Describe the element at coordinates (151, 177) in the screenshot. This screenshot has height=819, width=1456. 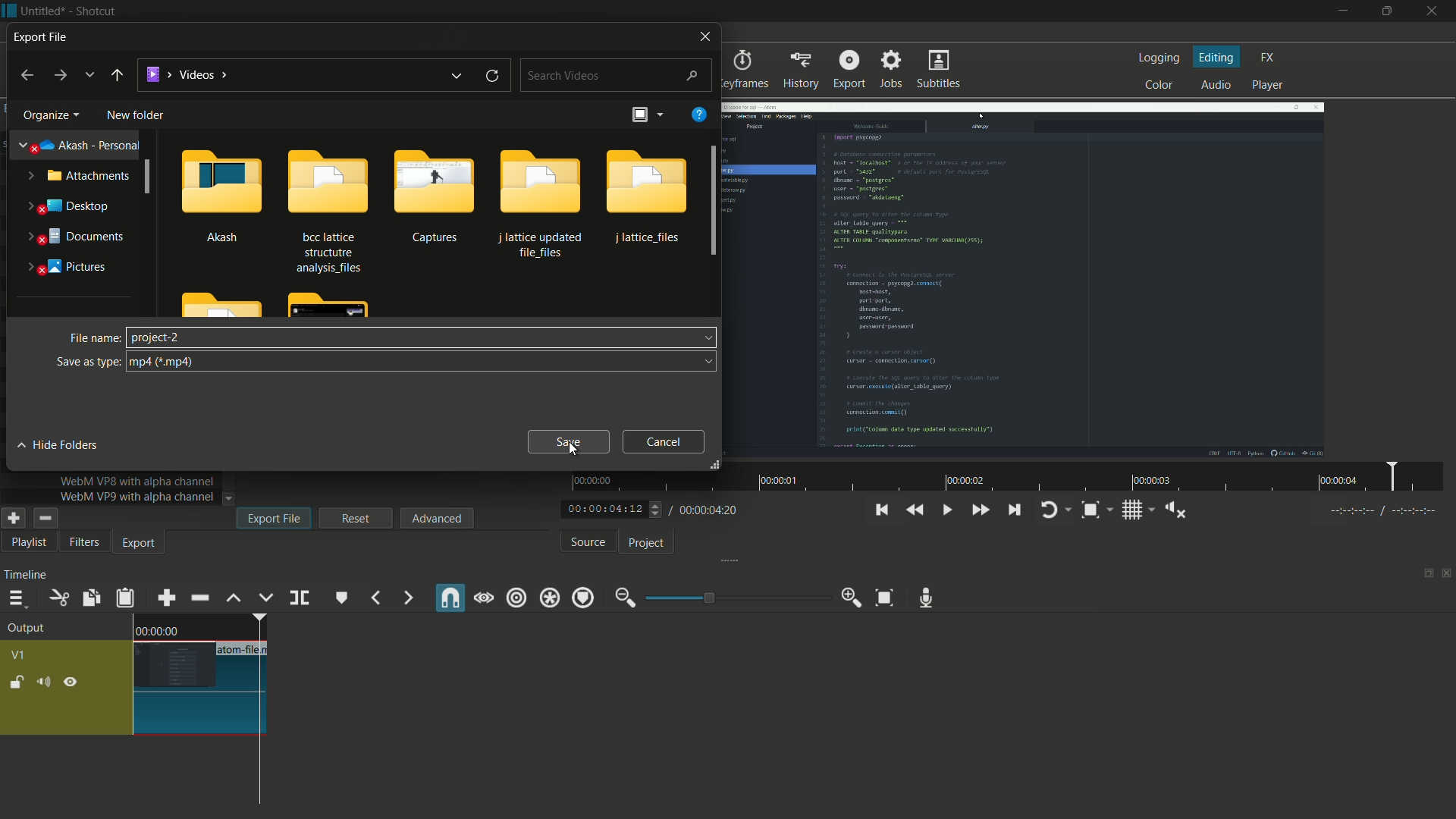
I see `scroll bar` at that location.